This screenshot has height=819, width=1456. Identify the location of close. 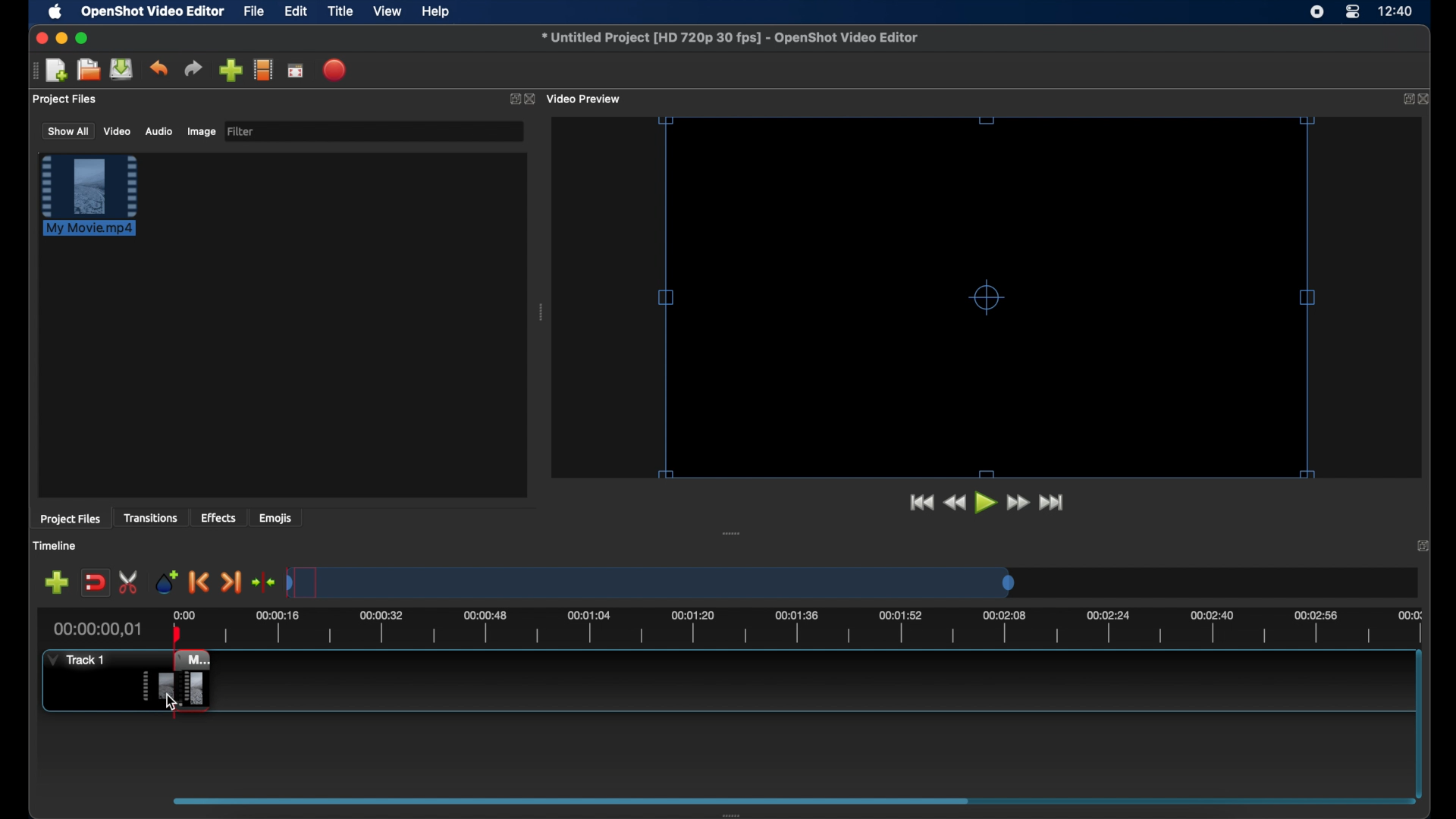
(1426, 100).